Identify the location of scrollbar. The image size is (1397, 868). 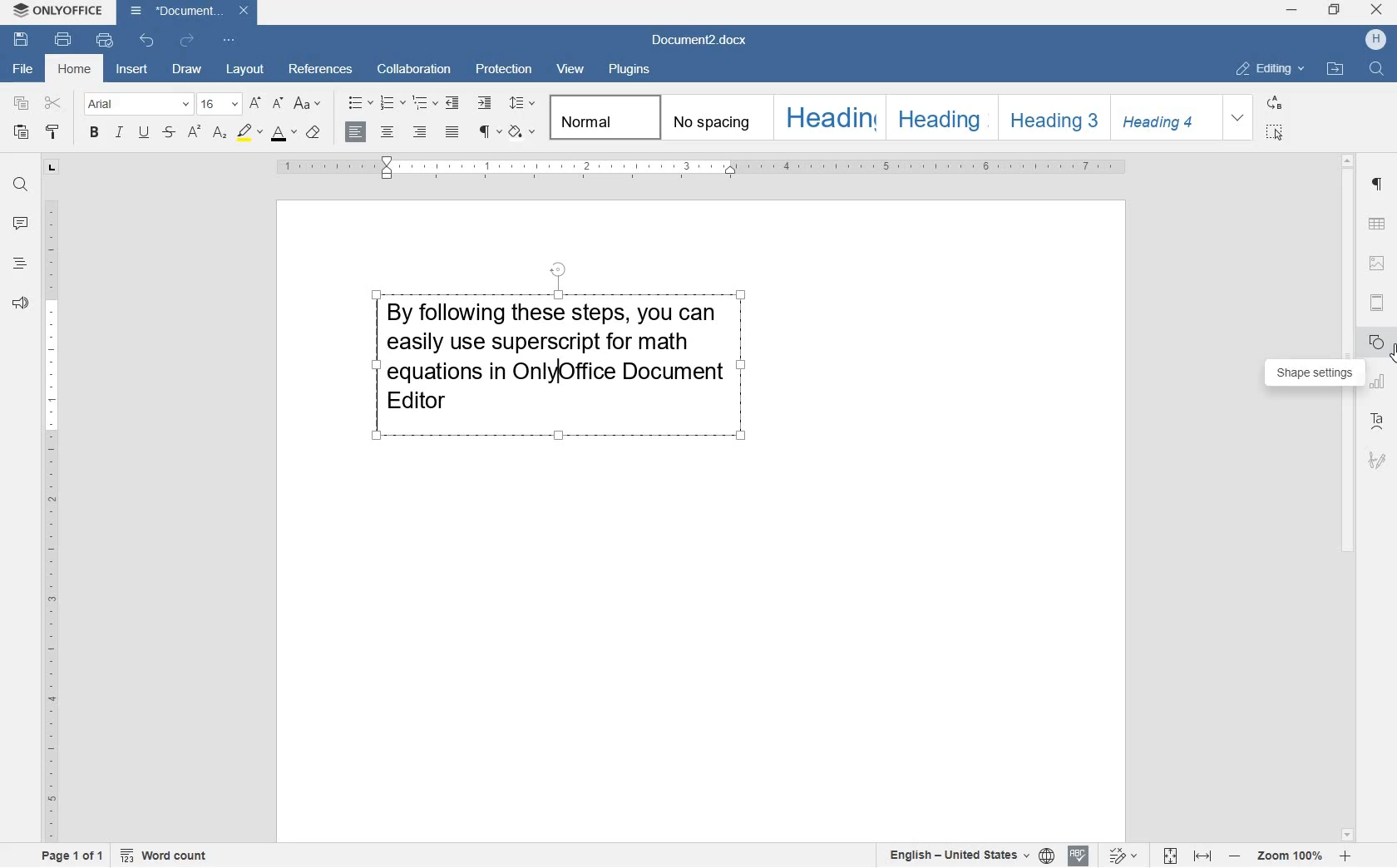
(1348, 496).